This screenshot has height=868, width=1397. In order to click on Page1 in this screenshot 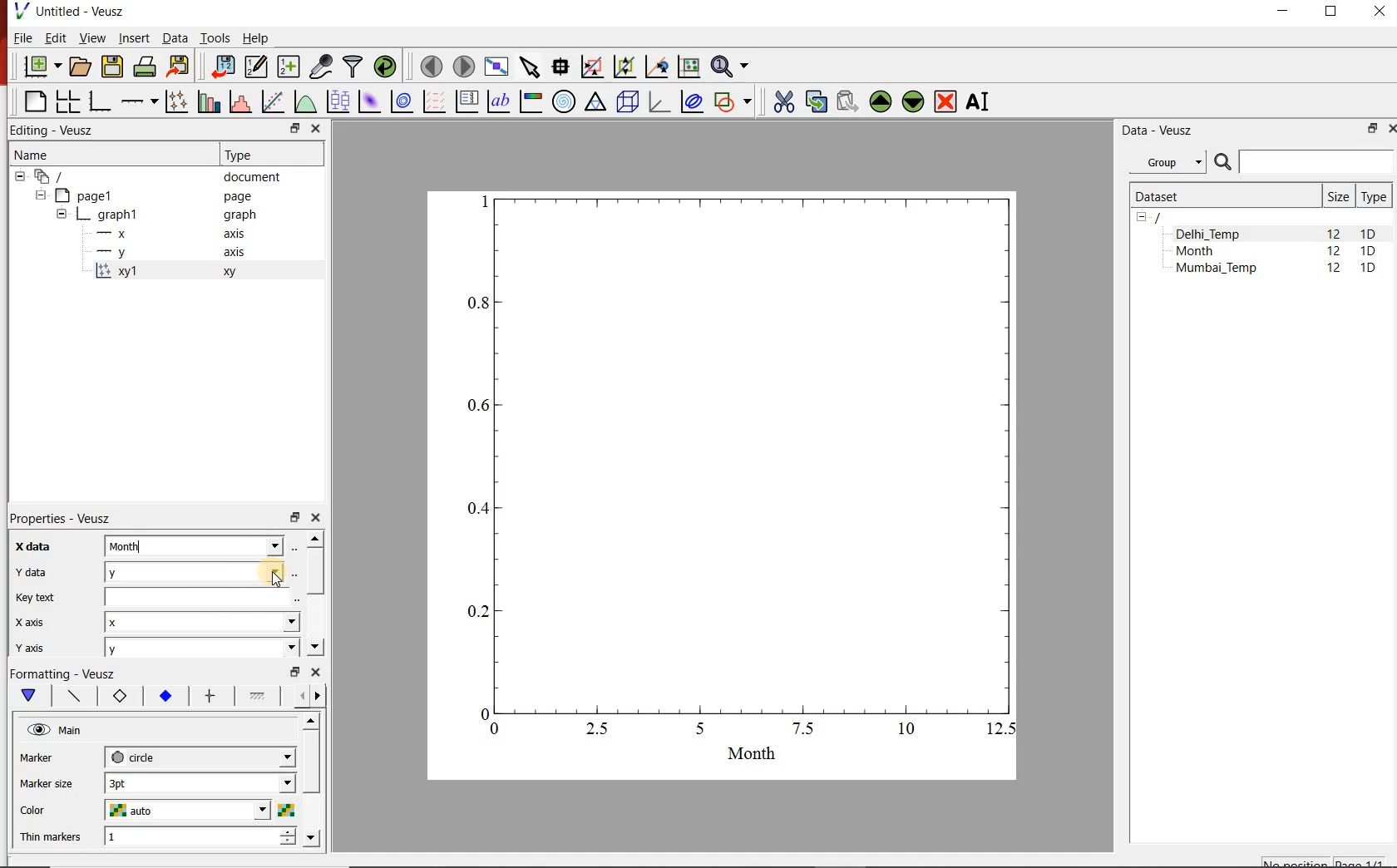, I will do `click(145, 195)`.